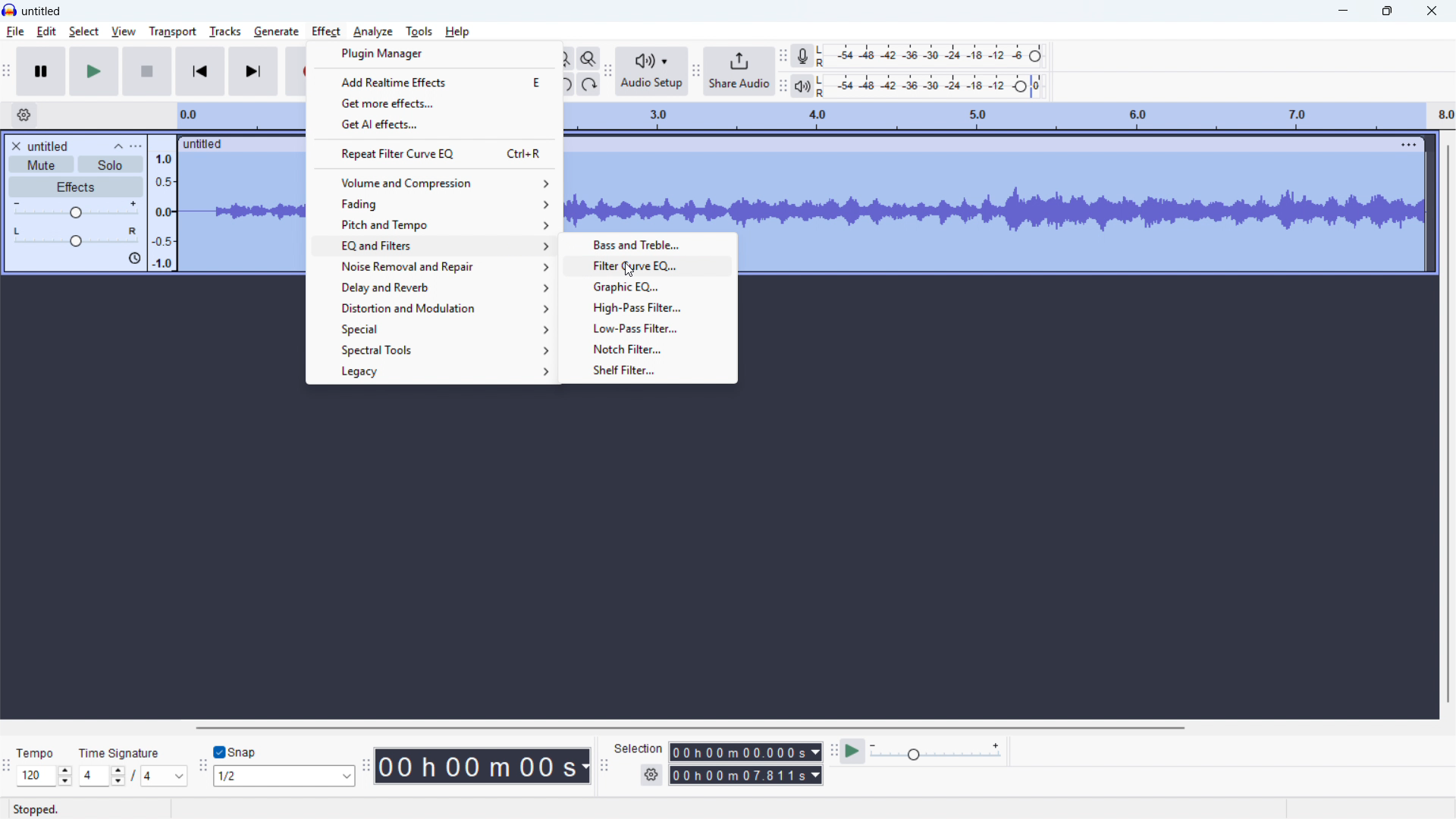 The width and height of the screenshot is (1456, 819). I want to click on Get more effects , so click(435, 102).